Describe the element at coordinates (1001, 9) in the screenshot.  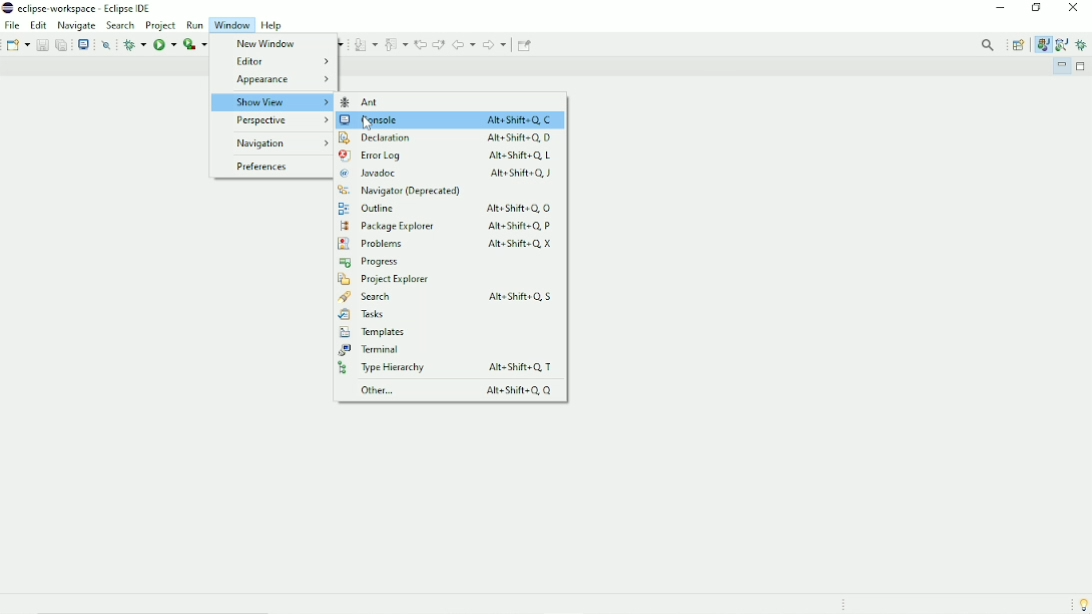
I see `Minimize` at that location.